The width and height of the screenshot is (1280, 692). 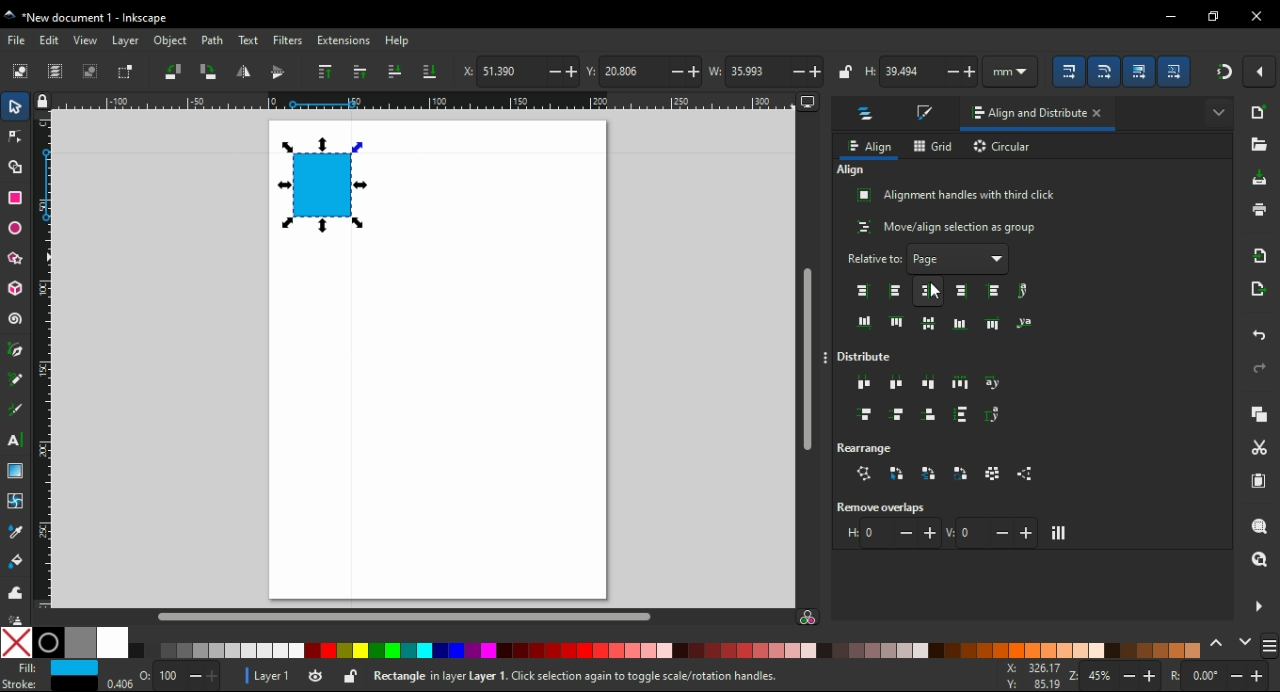 I want to click on select all, so click(x=20, y=72).